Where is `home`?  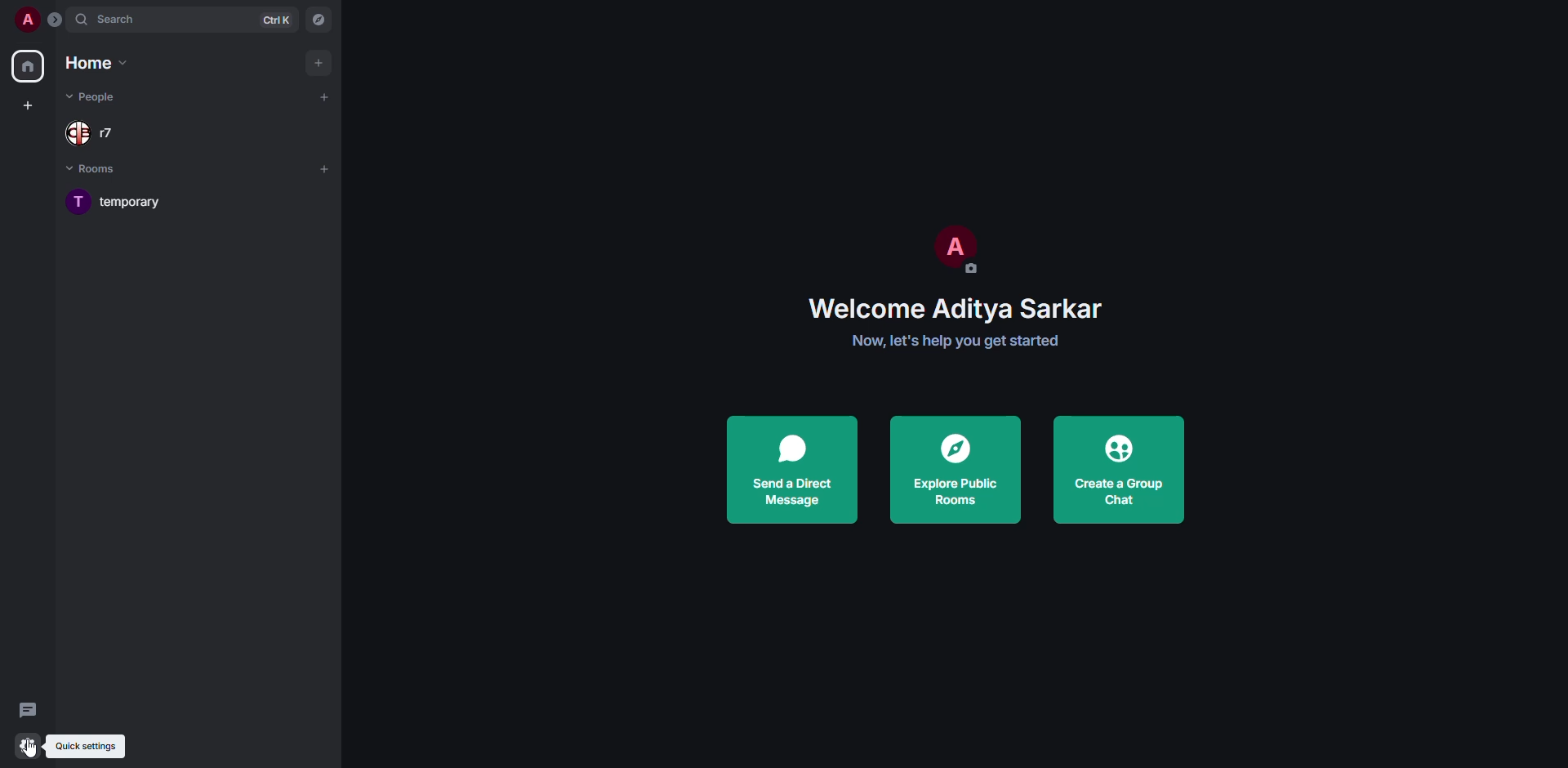
home is located at coordinates (99, 61).